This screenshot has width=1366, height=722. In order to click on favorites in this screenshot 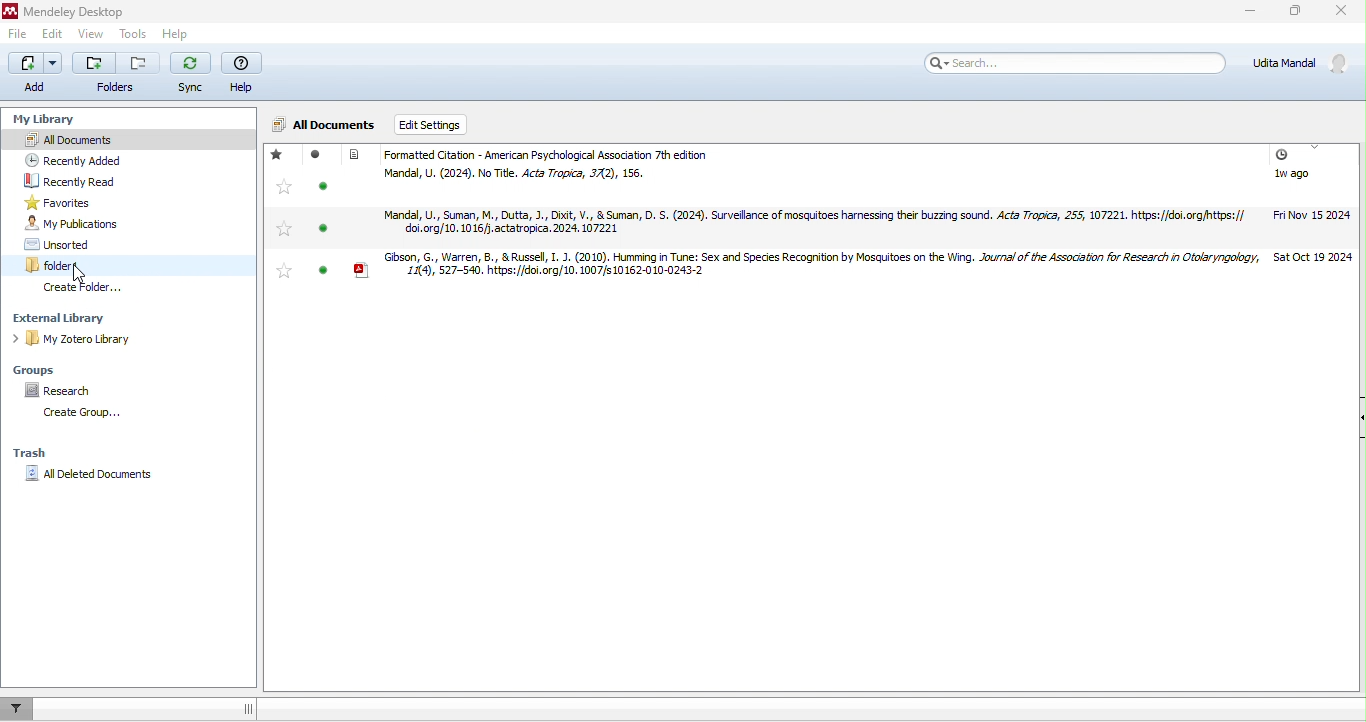, I will do `click(65, 203)`.